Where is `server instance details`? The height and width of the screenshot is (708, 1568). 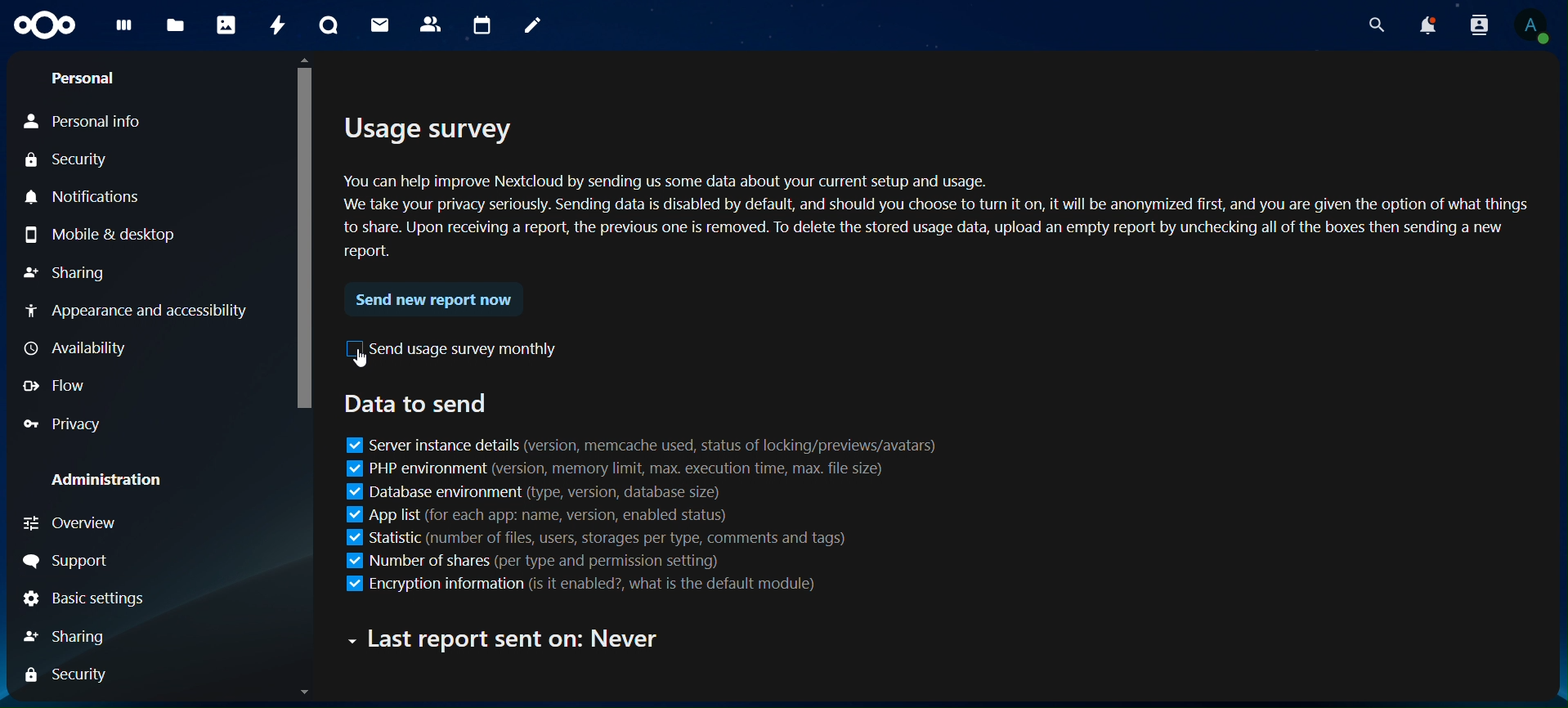
server instance details is located at coordinates (641, 442).